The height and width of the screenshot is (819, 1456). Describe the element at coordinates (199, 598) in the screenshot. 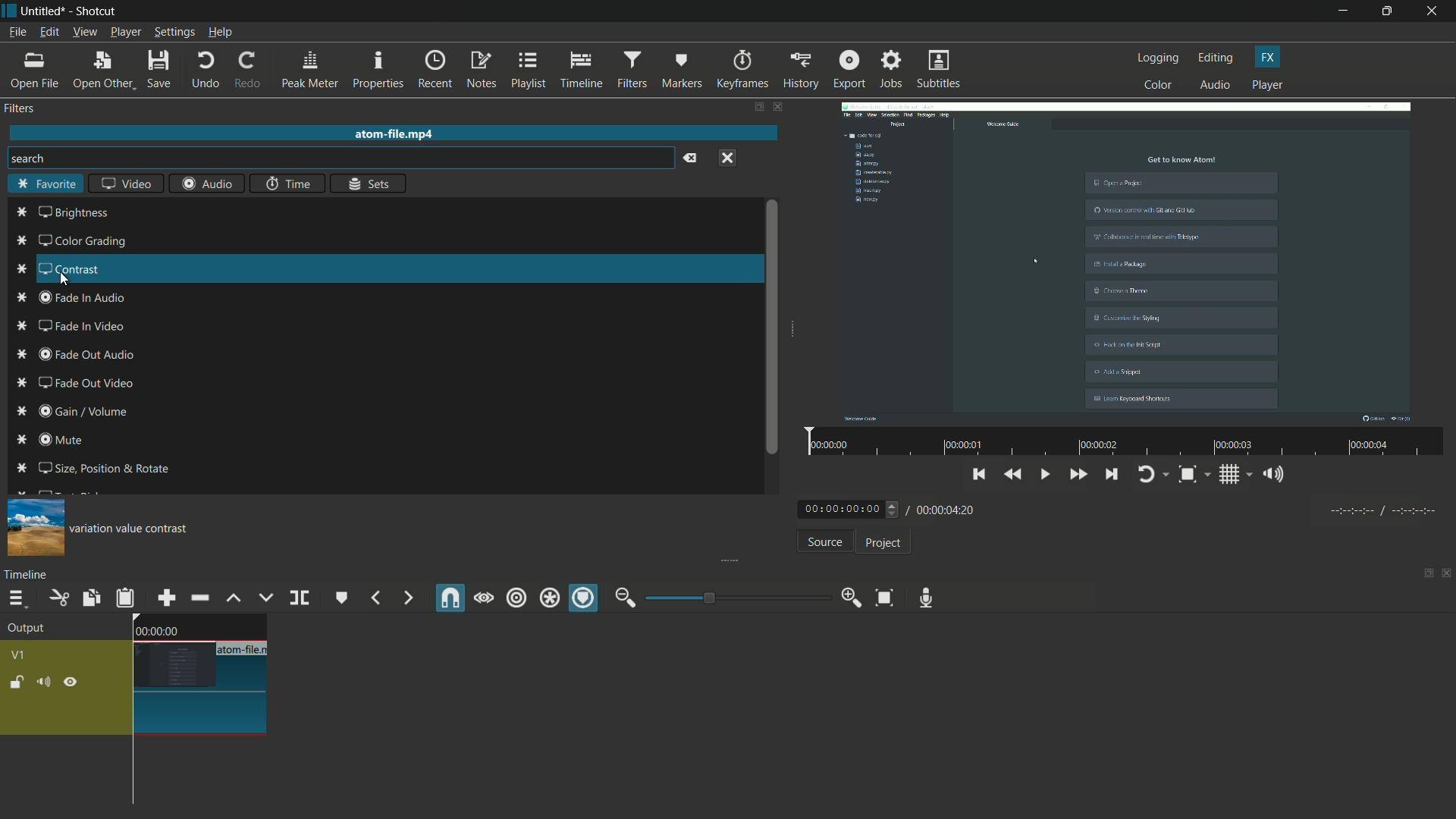

I see `ripple delete` at that location.